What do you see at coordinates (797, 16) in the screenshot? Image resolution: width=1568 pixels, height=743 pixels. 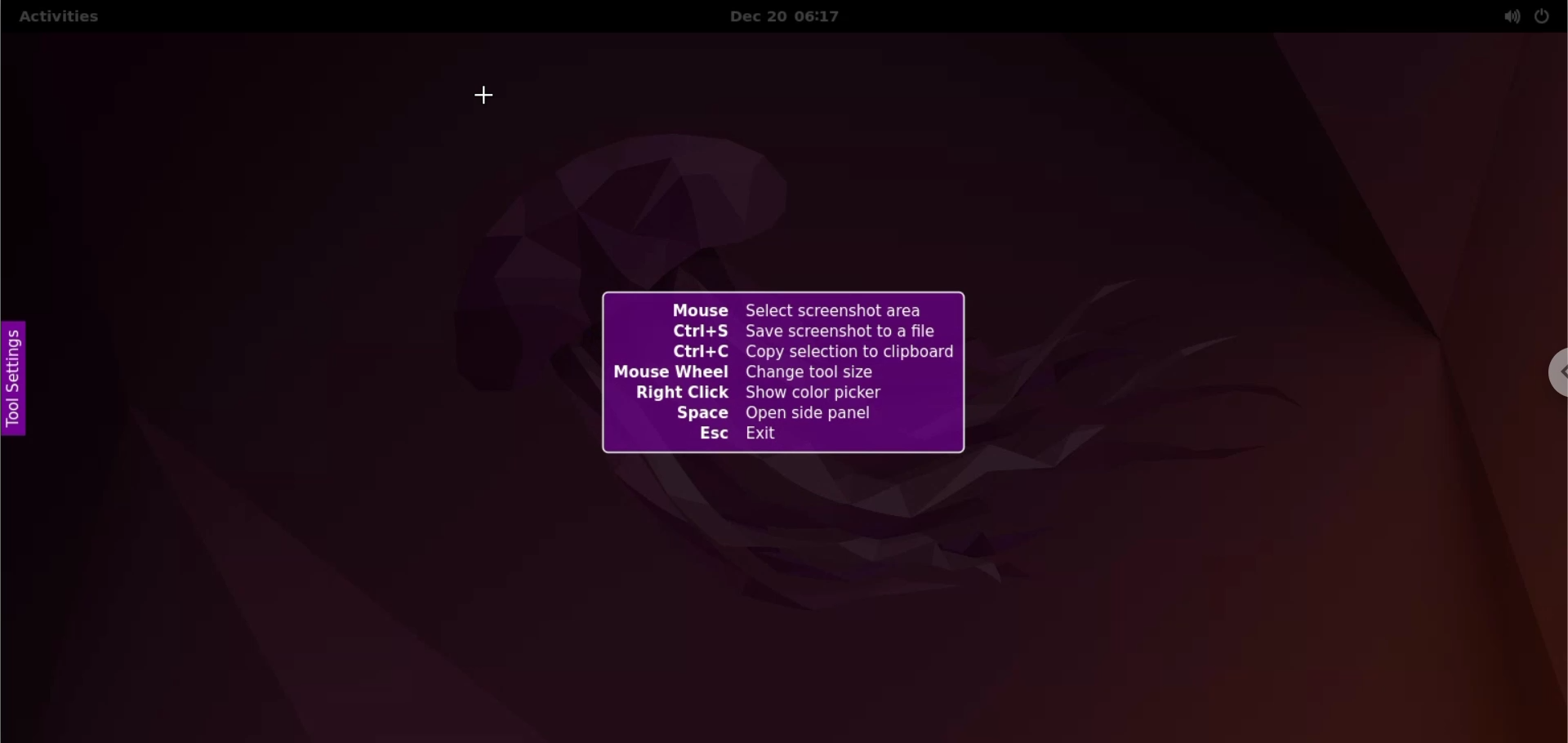 I see `Dec 20 06:17` at bounding box center [797, 16].